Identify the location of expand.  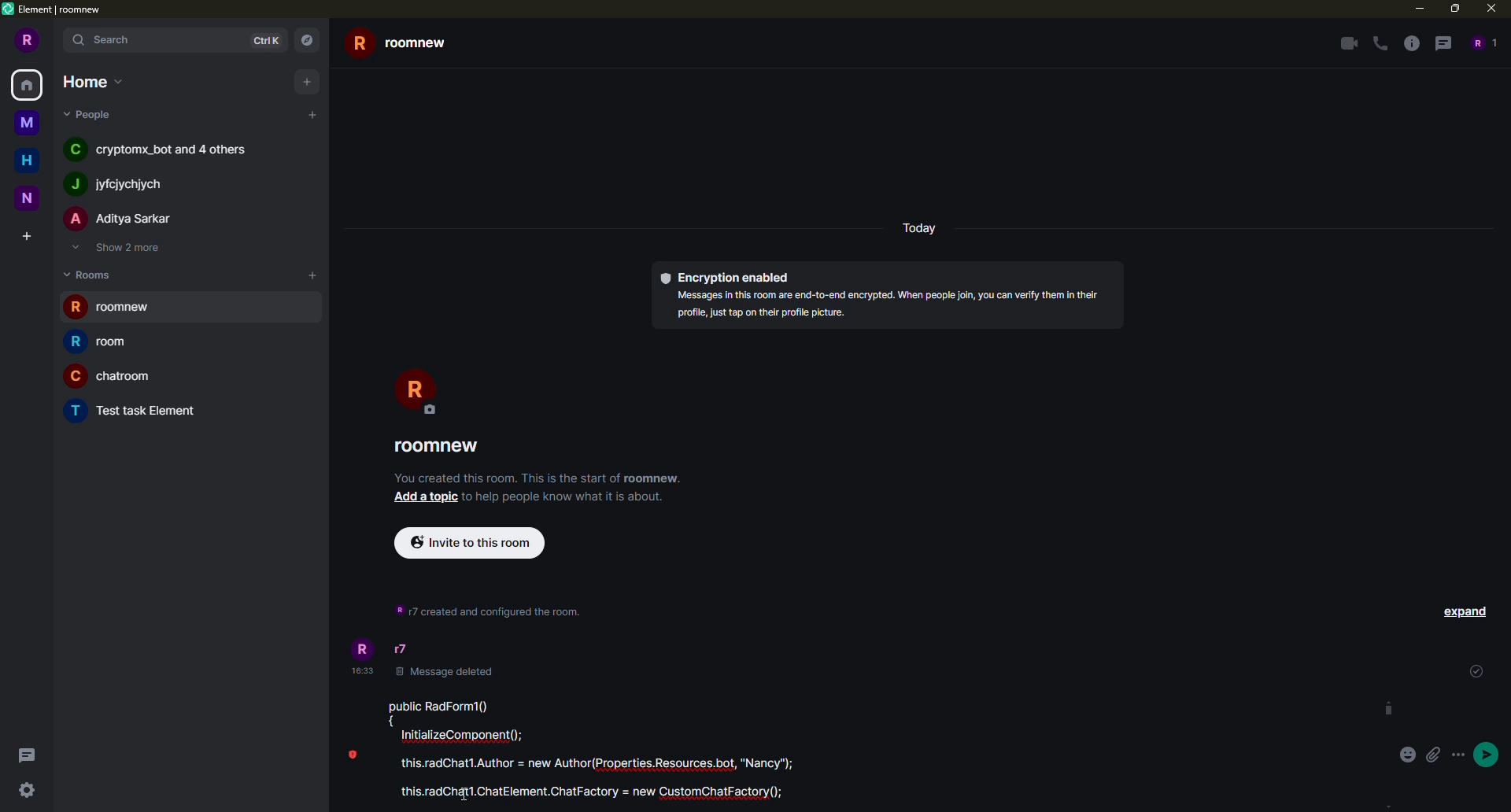
(1457, 610).